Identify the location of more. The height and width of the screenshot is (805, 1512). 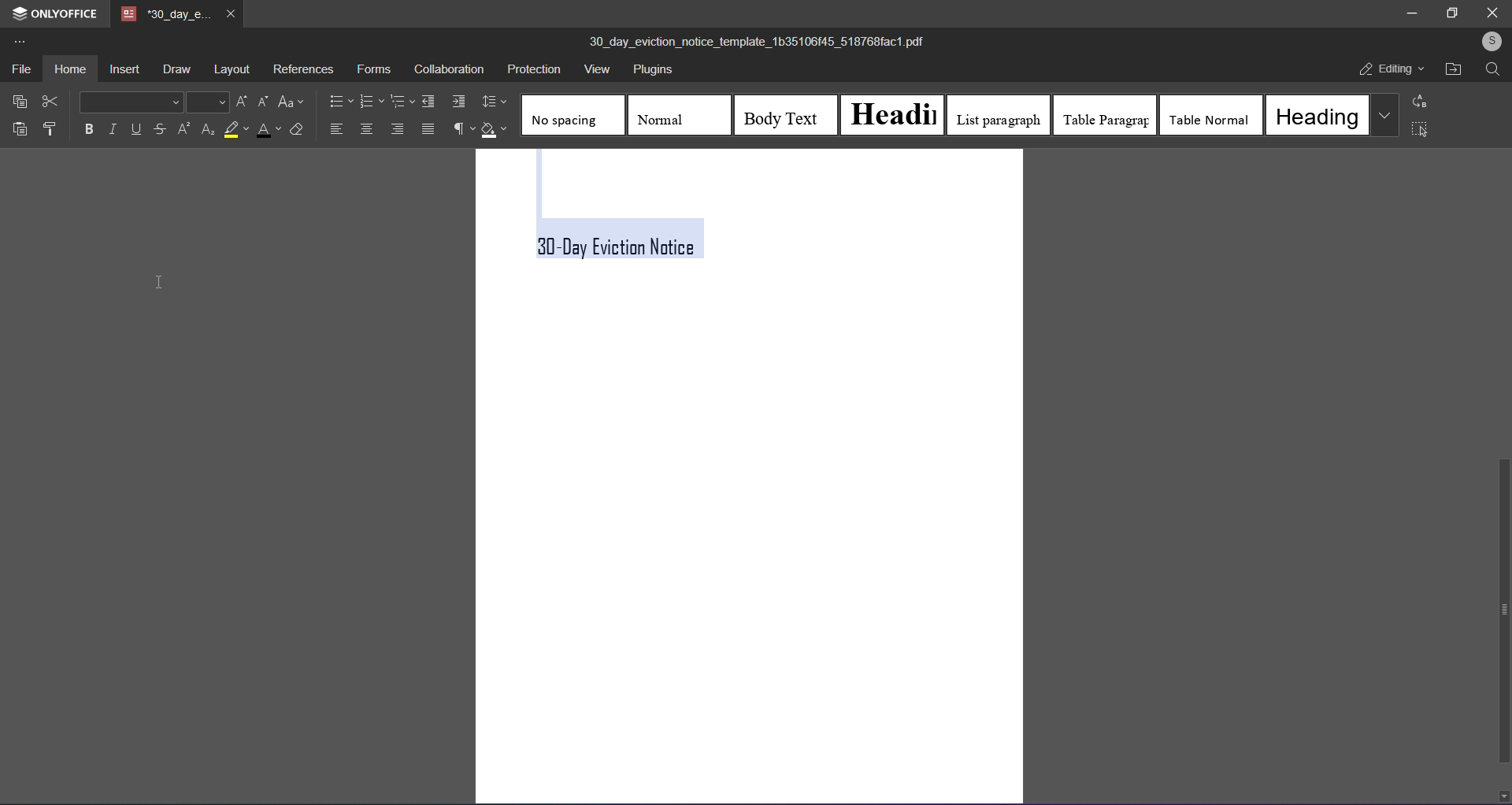
(1384, 114).